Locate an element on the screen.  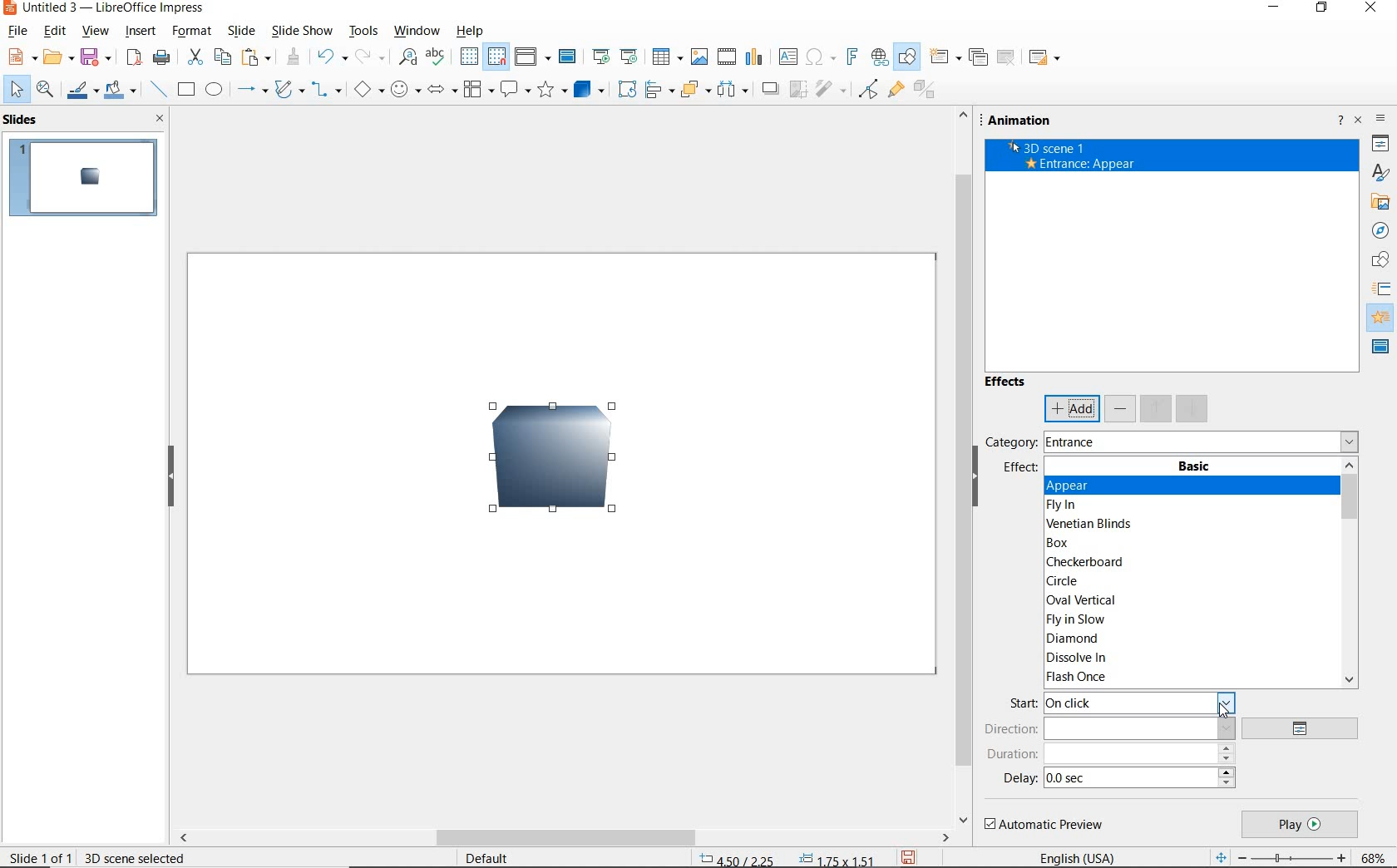
CLOSE is located at coordinates (1372, 8).